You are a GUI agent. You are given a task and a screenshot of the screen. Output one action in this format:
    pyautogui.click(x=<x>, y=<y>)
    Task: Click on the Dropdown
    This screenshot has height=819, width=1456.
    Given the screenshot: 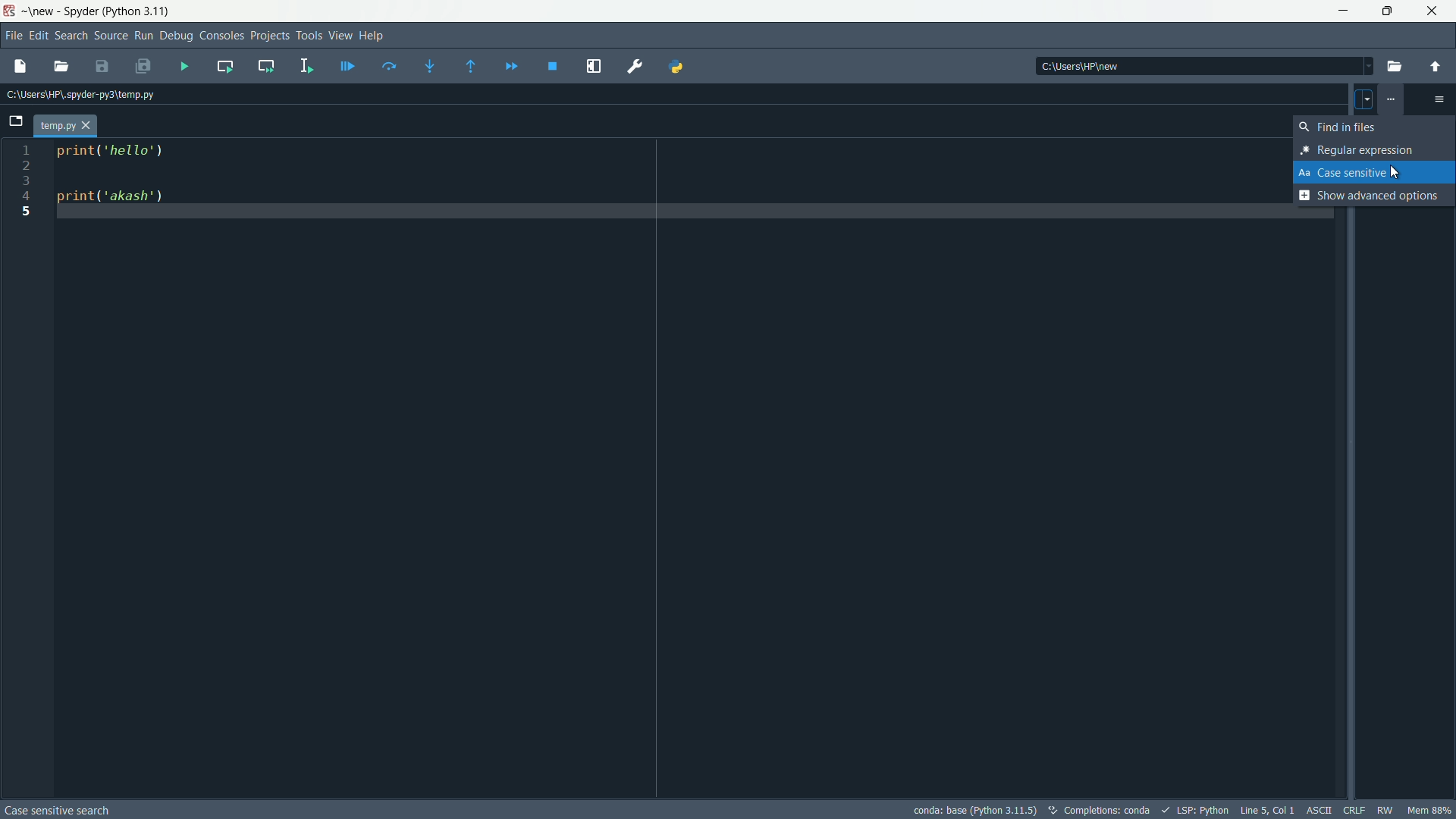 What is the action you would take?
    pyautogui.click(x=1362, y=97)
    